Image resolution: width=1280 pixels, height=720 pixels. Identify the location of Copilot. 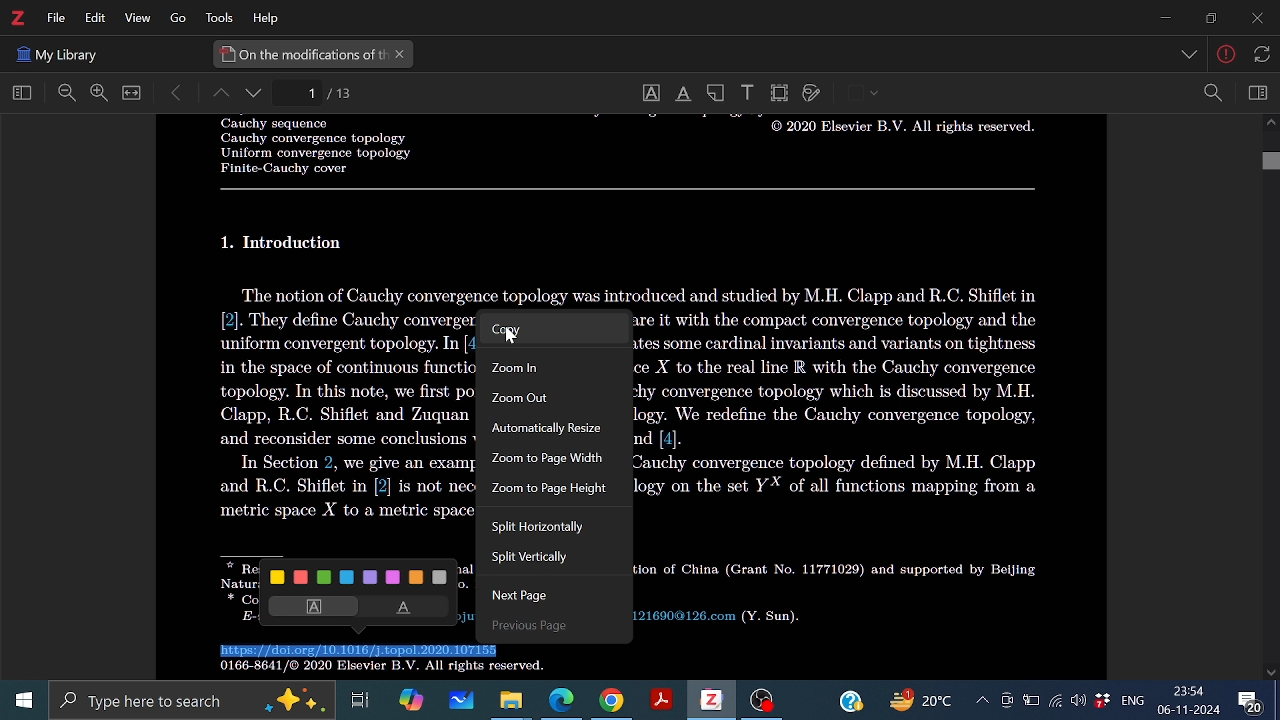
(410, 700).